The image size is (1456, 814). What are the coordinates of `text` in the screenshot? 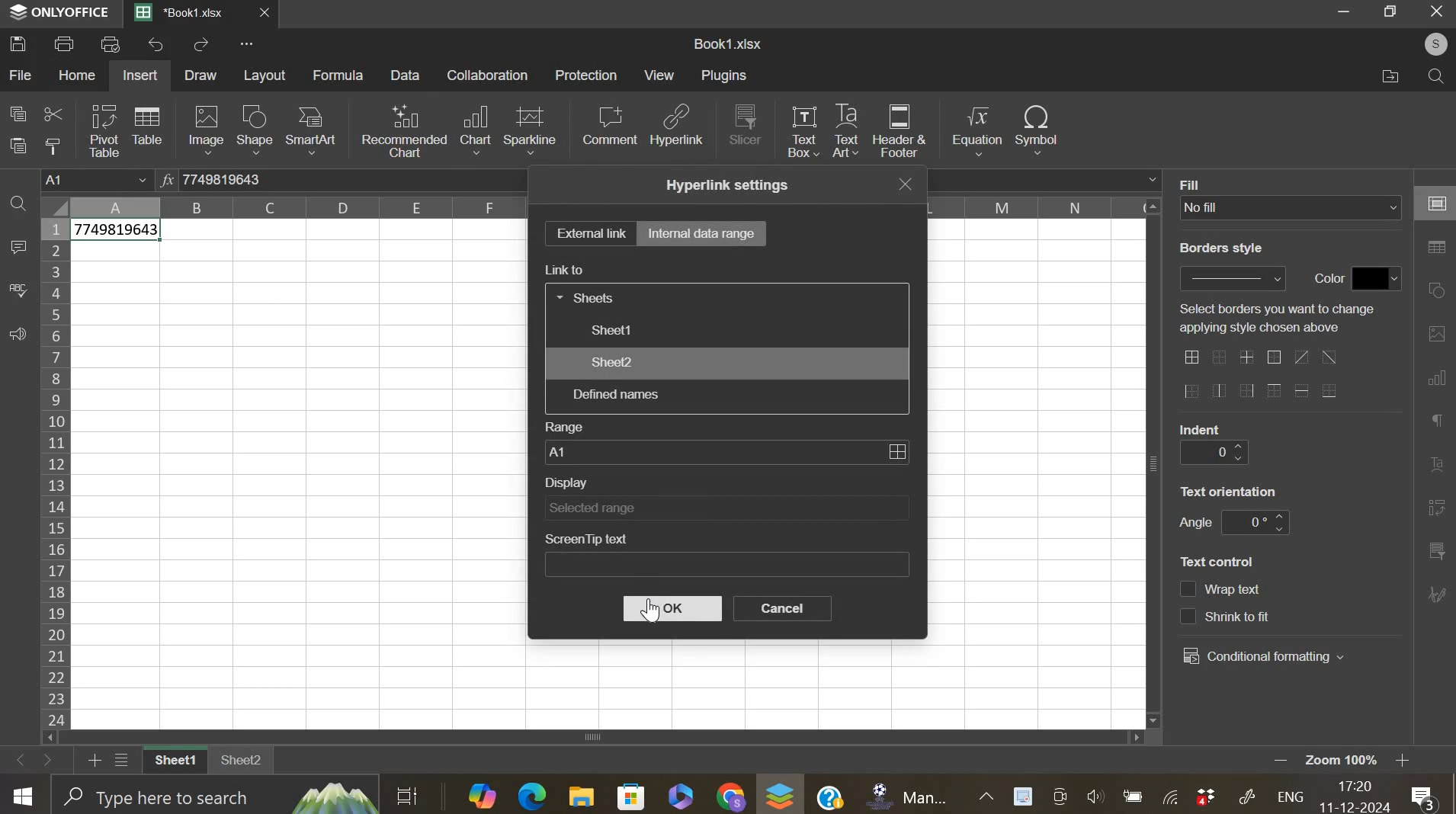 It's located at (1195, 524).